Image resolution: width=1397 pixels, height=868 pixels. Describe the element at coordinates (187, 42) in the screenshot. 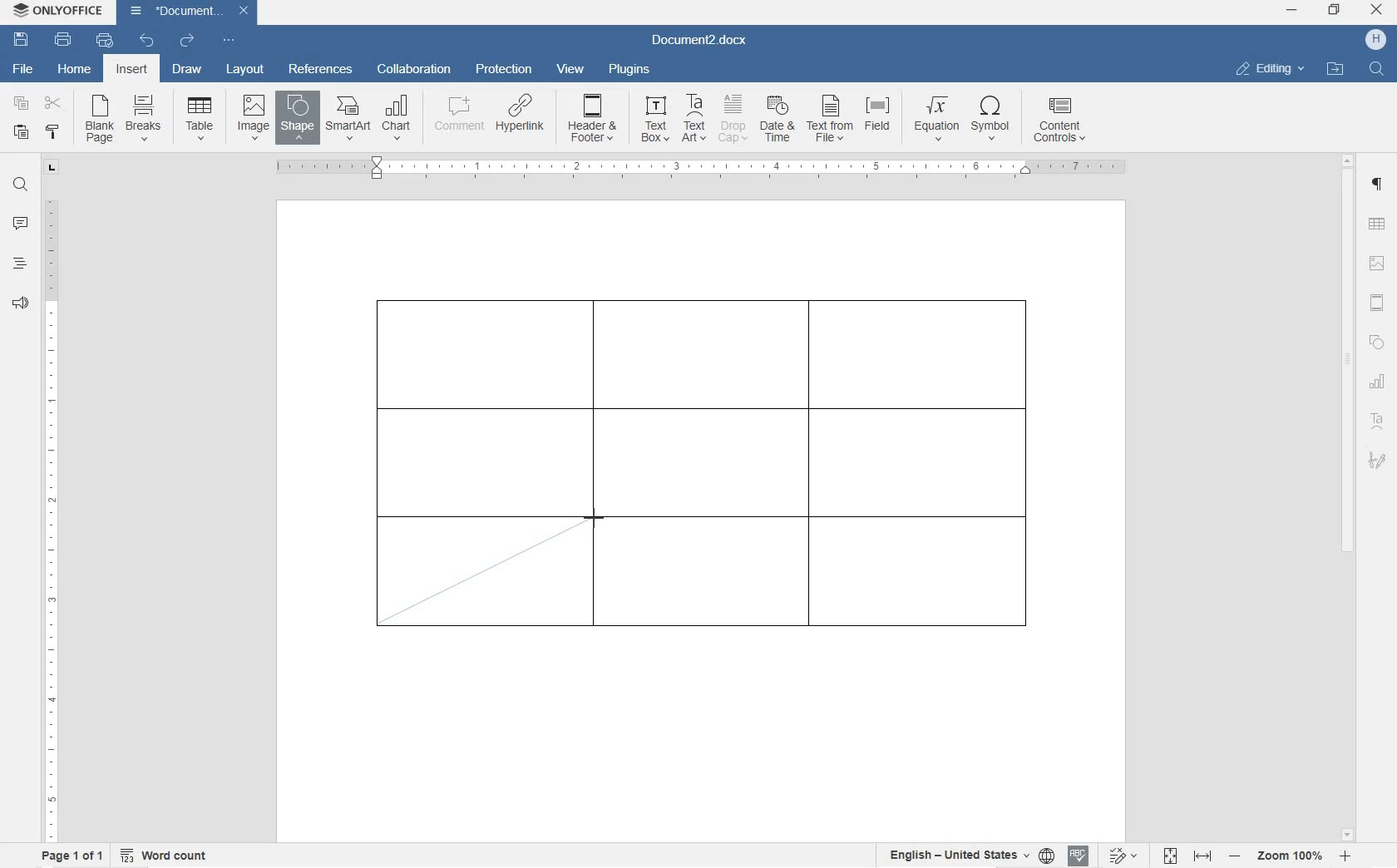

I see `redo` at that location.